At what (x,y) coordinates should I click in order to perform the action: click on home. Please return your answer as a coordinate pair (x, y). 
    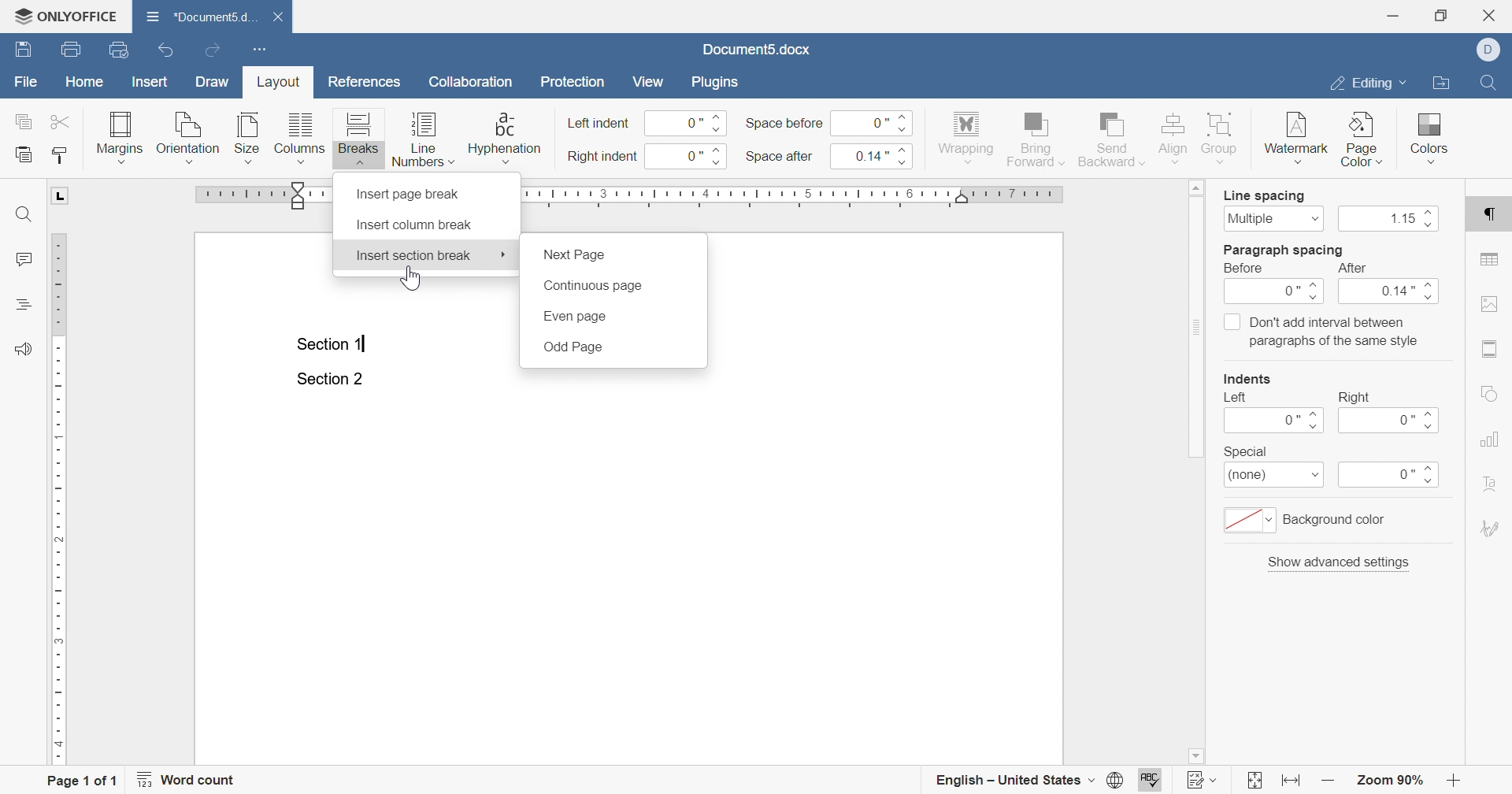
    Looking at the image, I should click on (85, 82).